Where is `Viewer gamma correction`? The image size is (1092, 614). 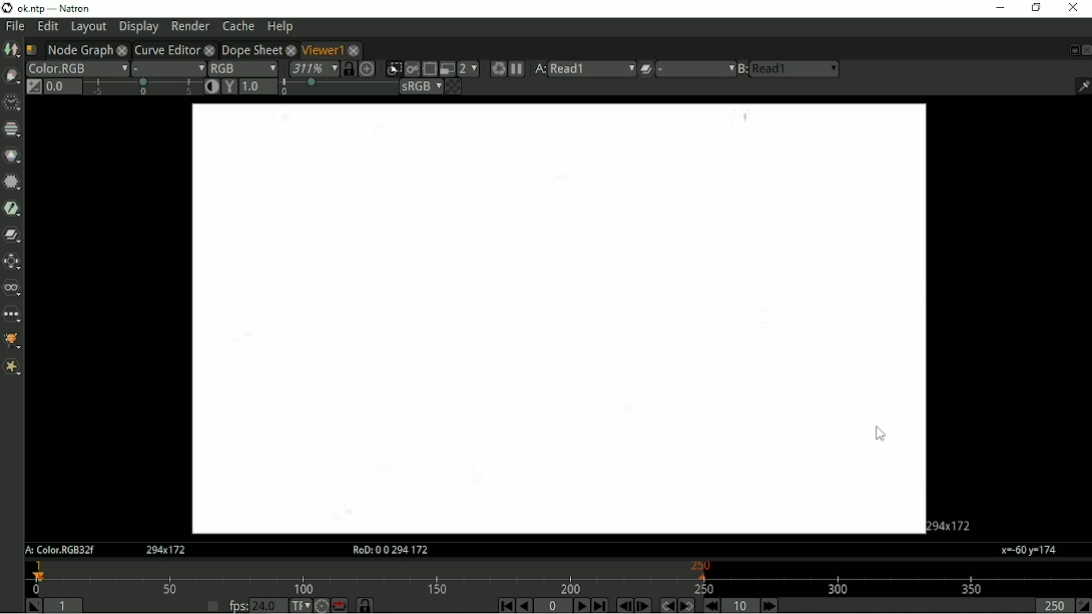
Viewer gamma correction is located at coordinates (229, 87).